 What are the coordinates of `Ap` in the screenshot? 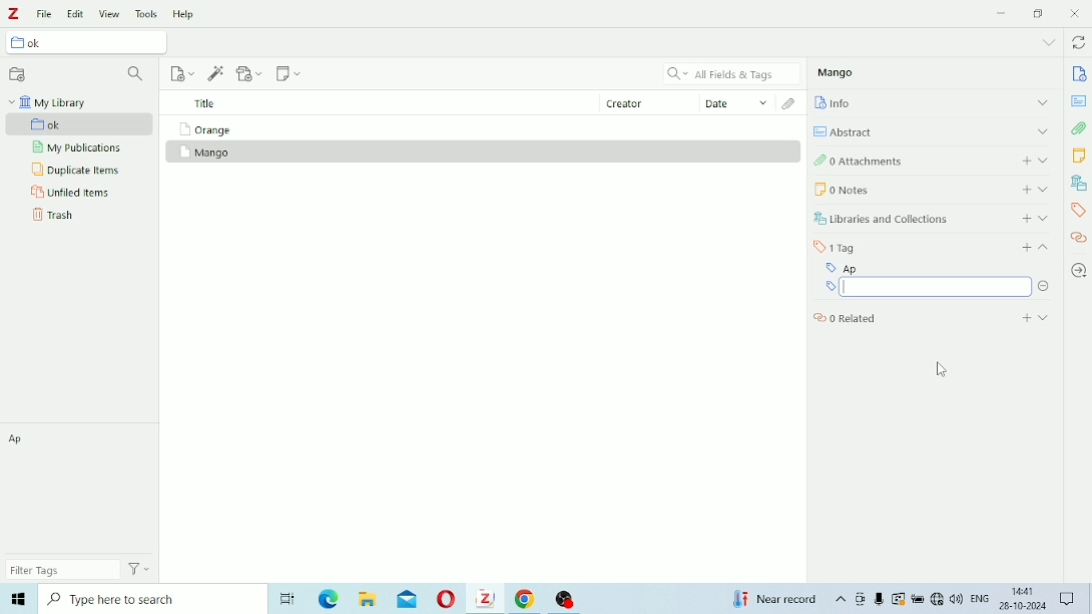 It's located at (928, 265).